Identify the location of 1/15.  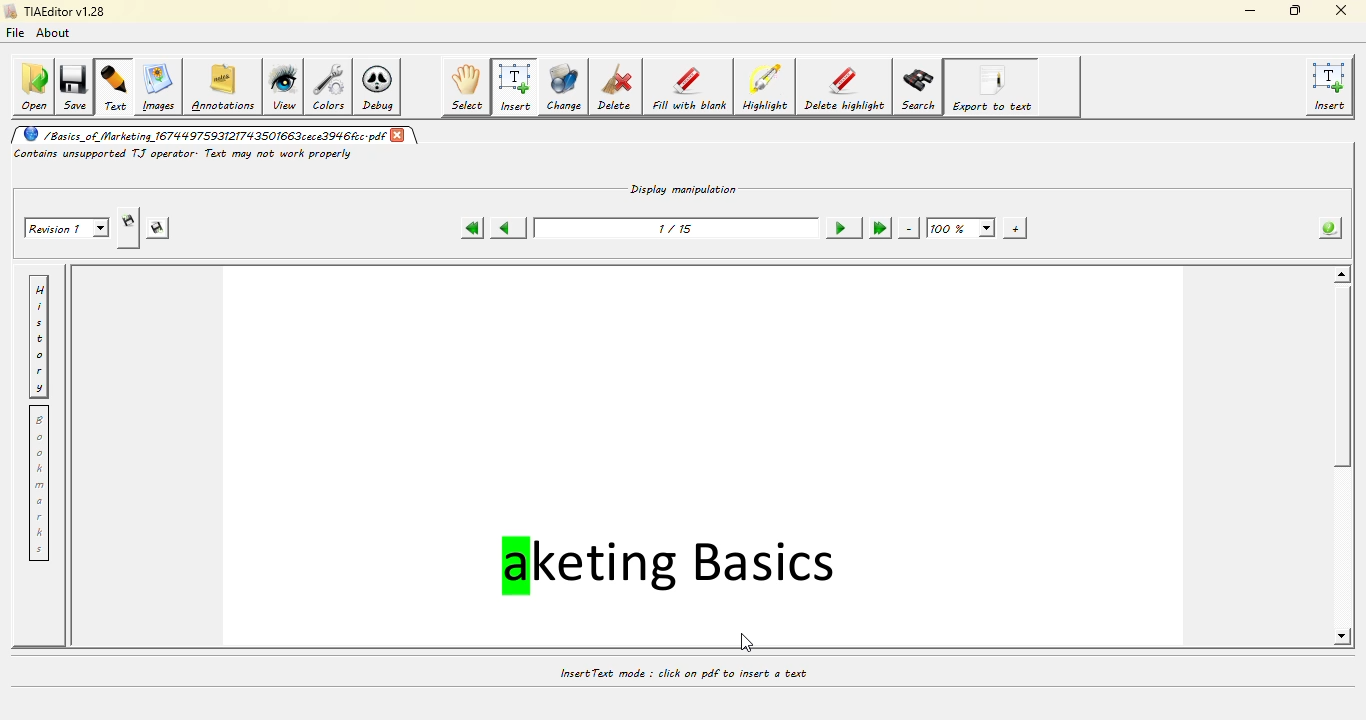
(674, 227).